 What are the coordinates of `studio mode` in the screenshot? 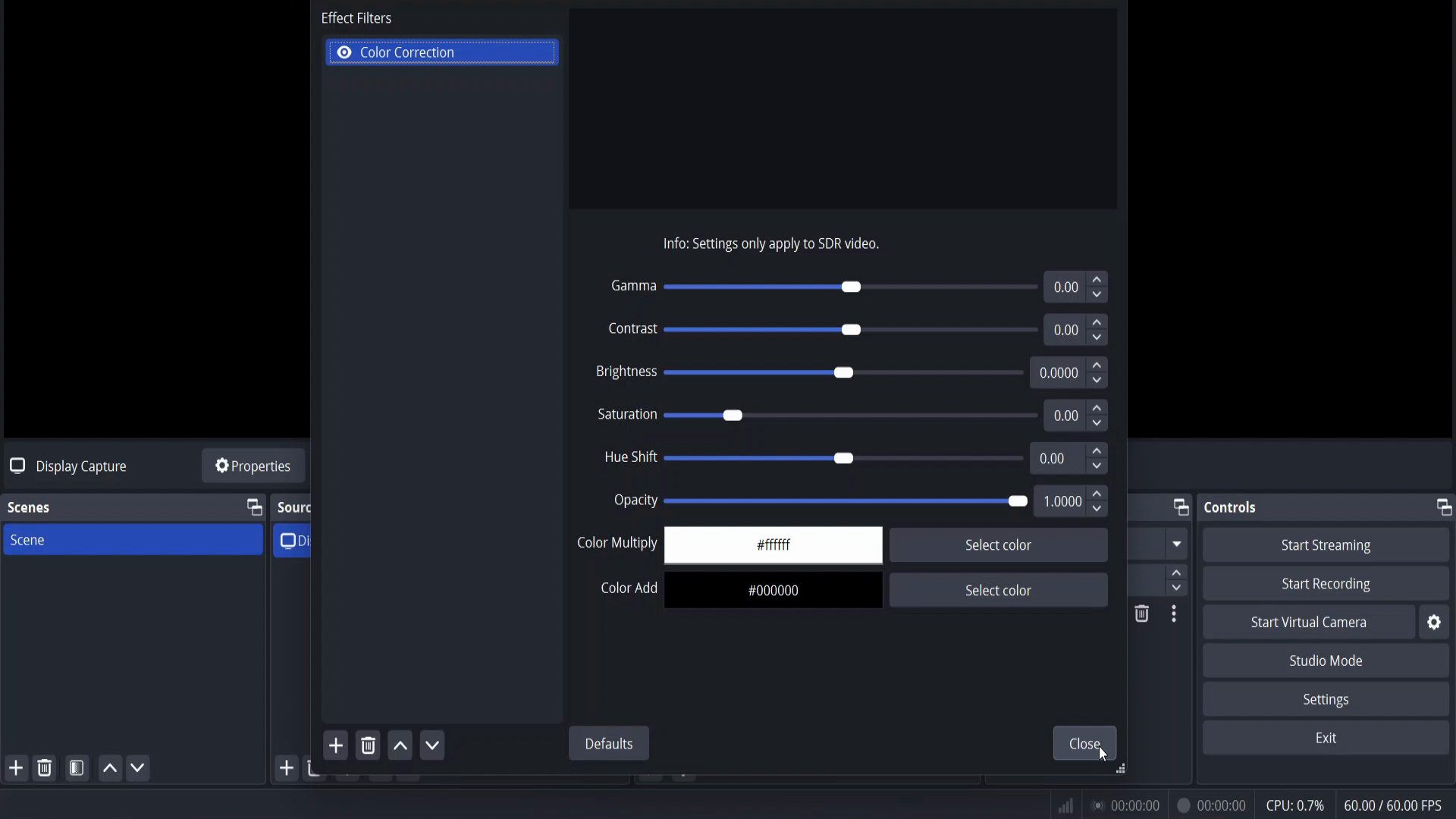 It's located at (1329, 661).